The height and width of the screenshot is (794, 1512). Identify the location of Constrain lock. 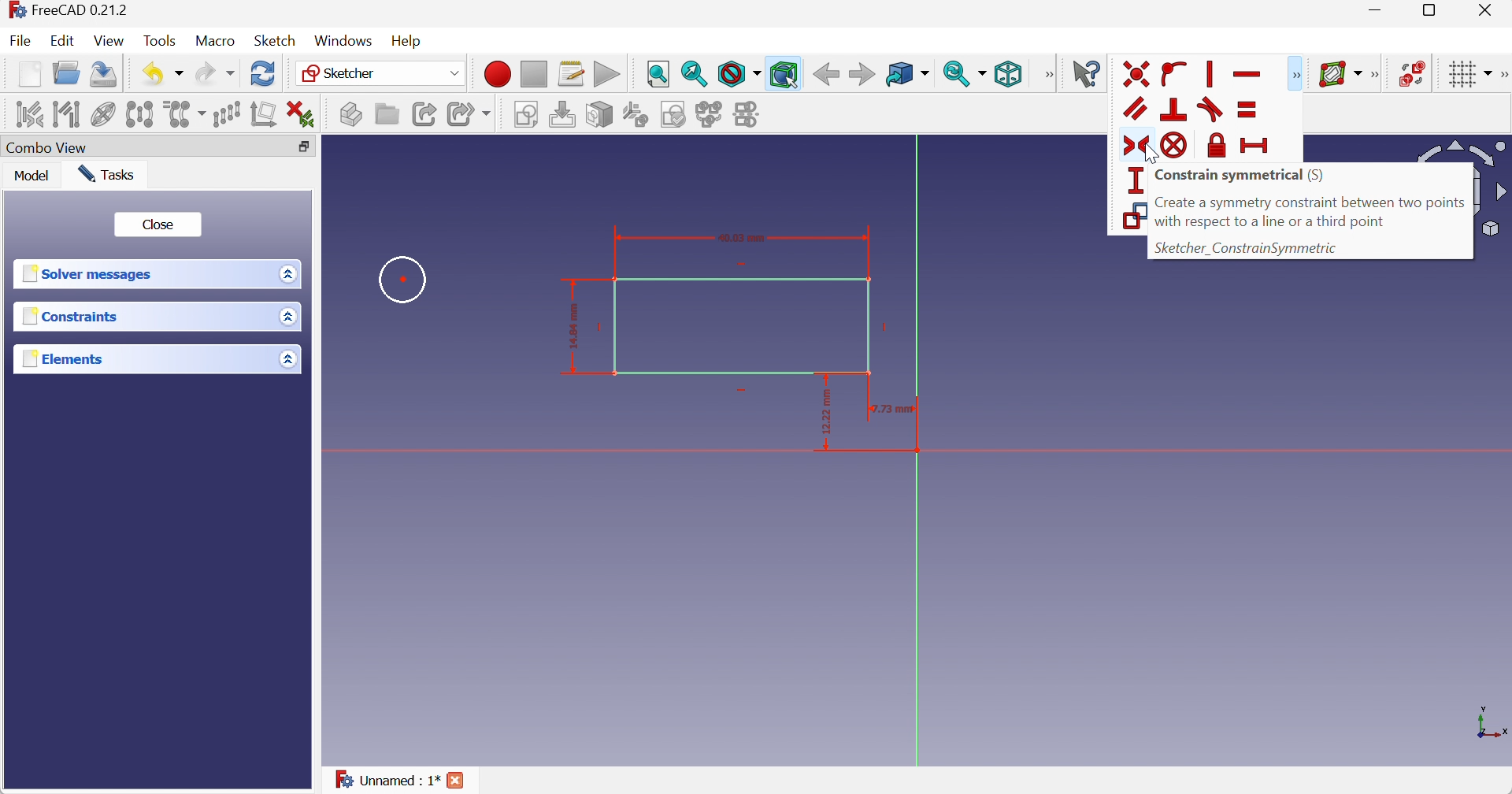
(1214, 145).